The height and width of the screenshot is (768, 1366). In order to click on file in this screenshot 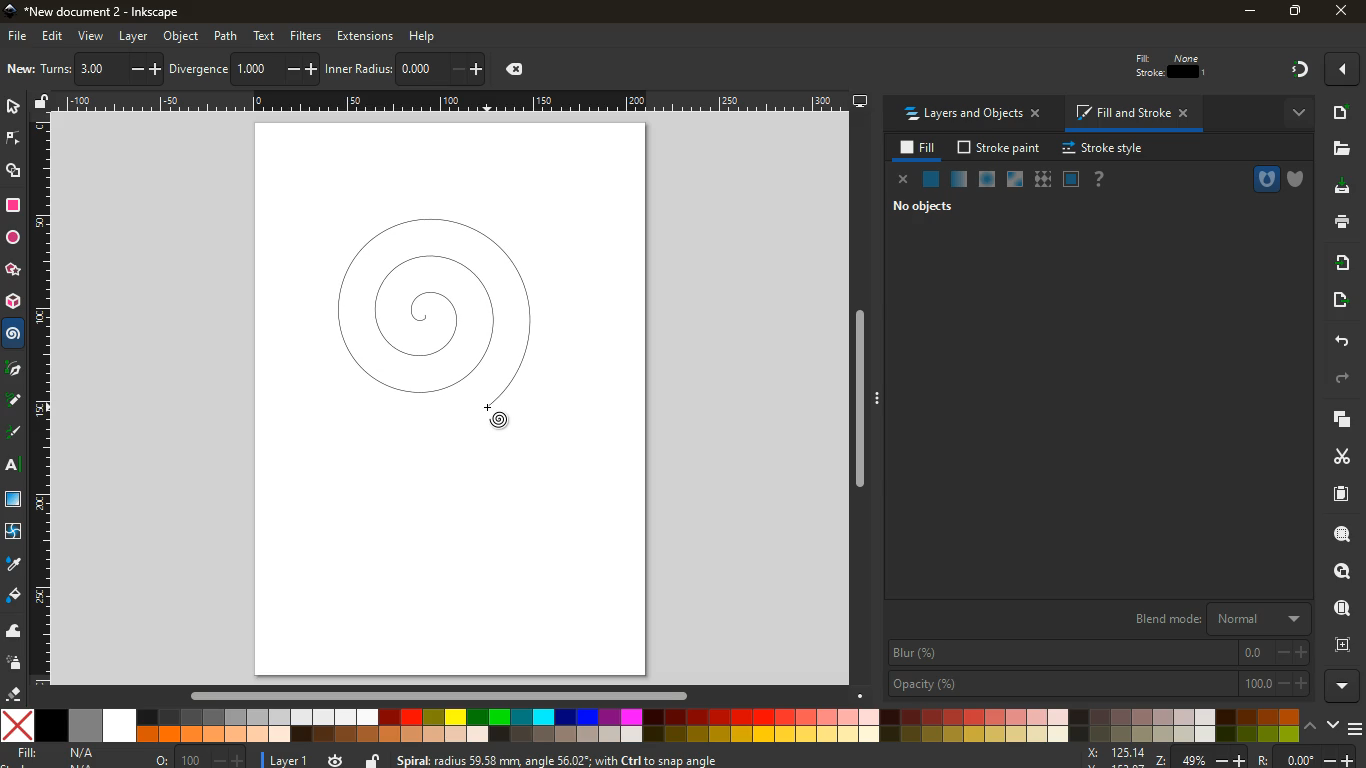, I will do `click(18, 36)`.